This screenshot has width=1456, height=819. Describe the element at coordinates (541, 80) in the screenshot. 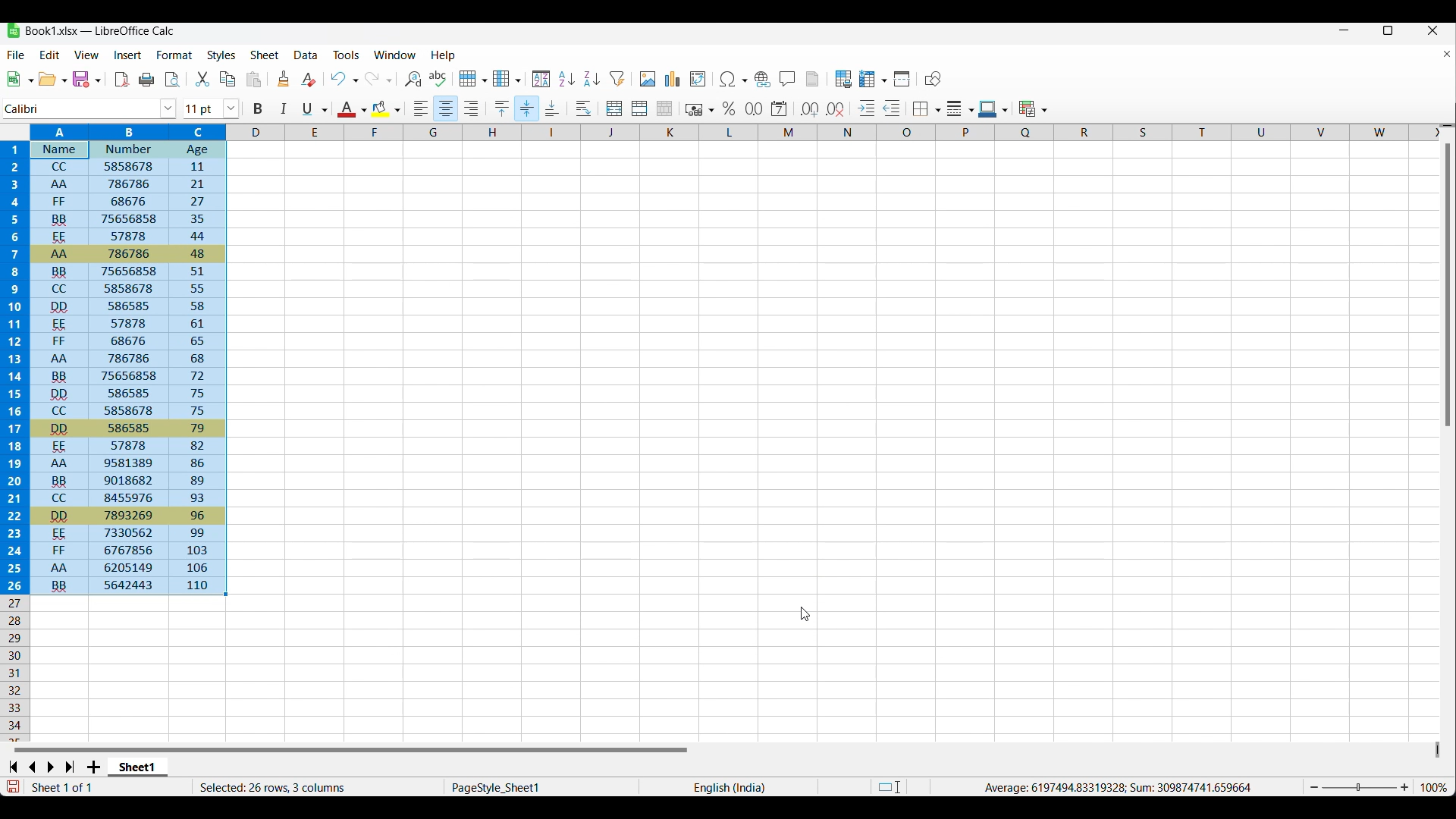

I see `Sort` at that location.